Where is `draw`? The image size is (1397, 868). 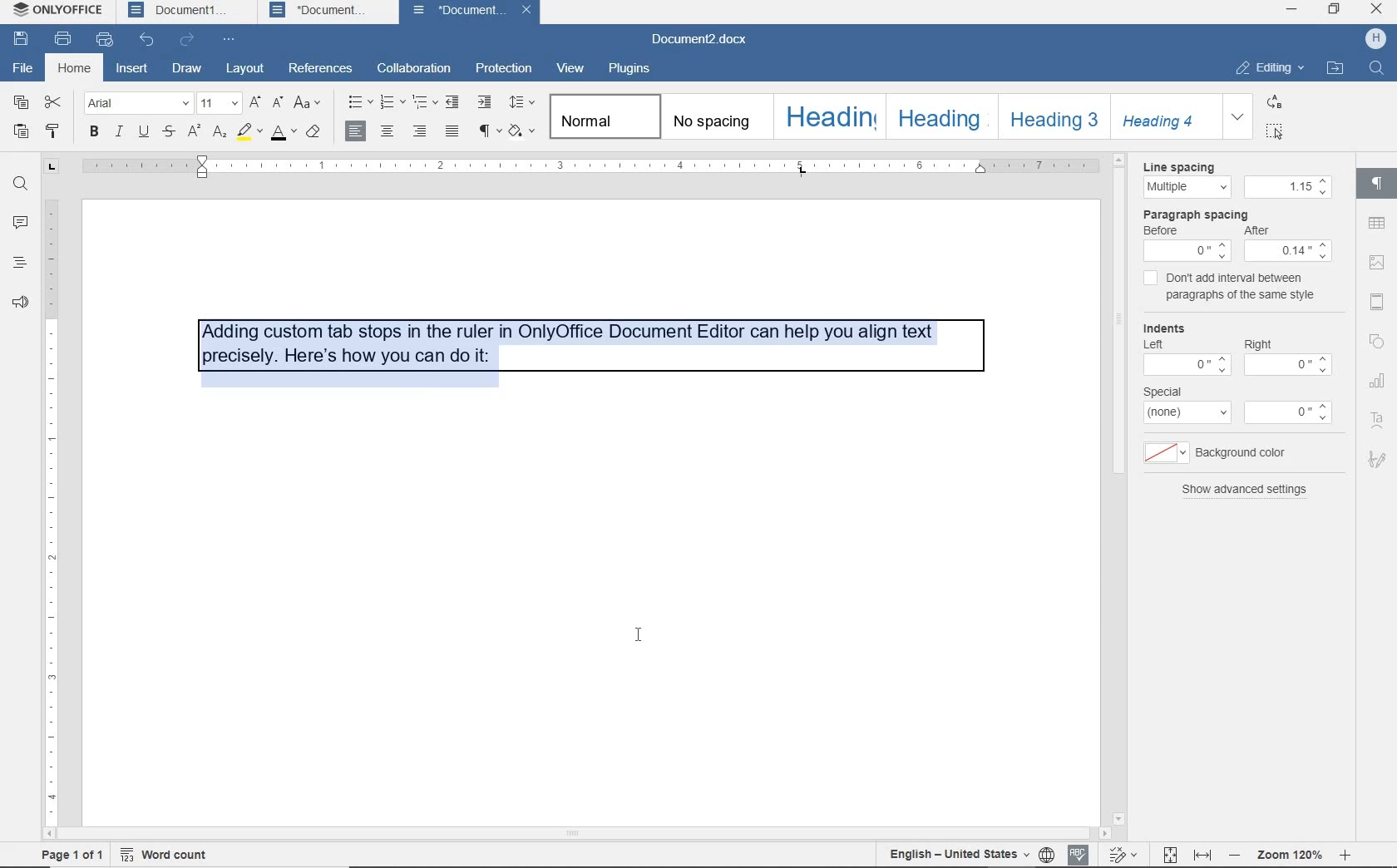 draw is located at coordinates (187, 69).